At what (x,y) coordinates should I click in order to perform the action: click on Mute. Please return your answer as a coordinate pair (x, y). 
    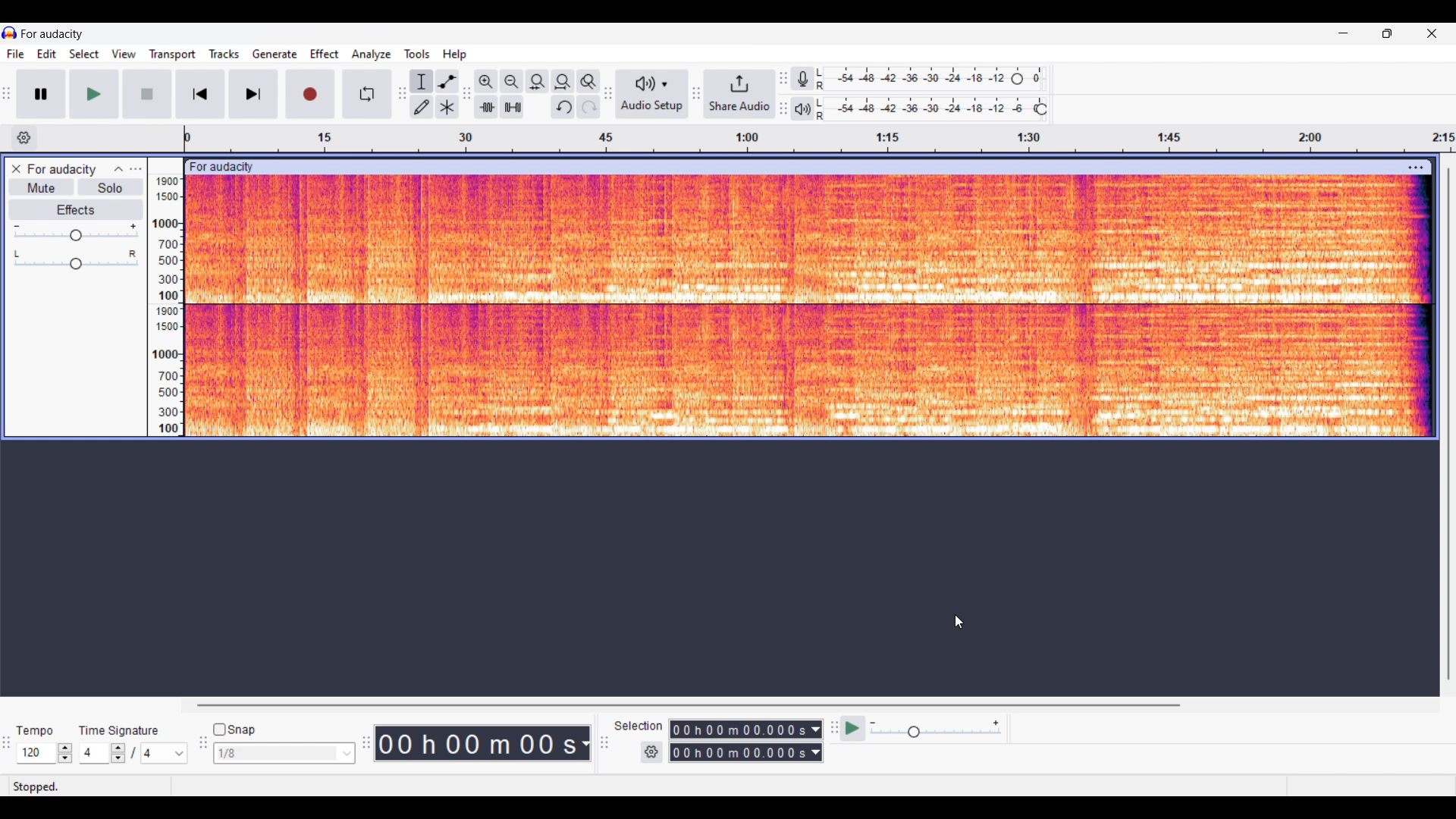
    Looking at the image, I should click on (42, 187).